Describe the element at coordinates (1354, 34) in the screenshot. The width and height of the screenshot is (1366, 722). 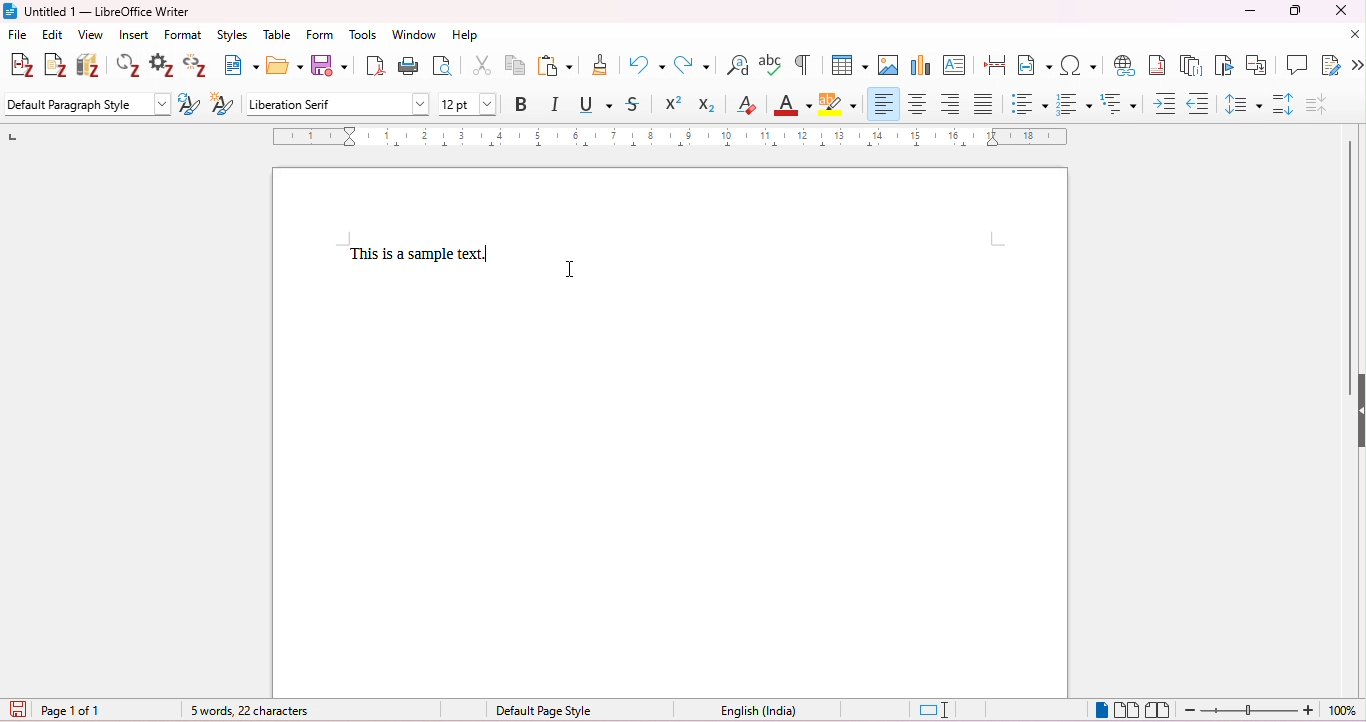
I see `close` at that location.